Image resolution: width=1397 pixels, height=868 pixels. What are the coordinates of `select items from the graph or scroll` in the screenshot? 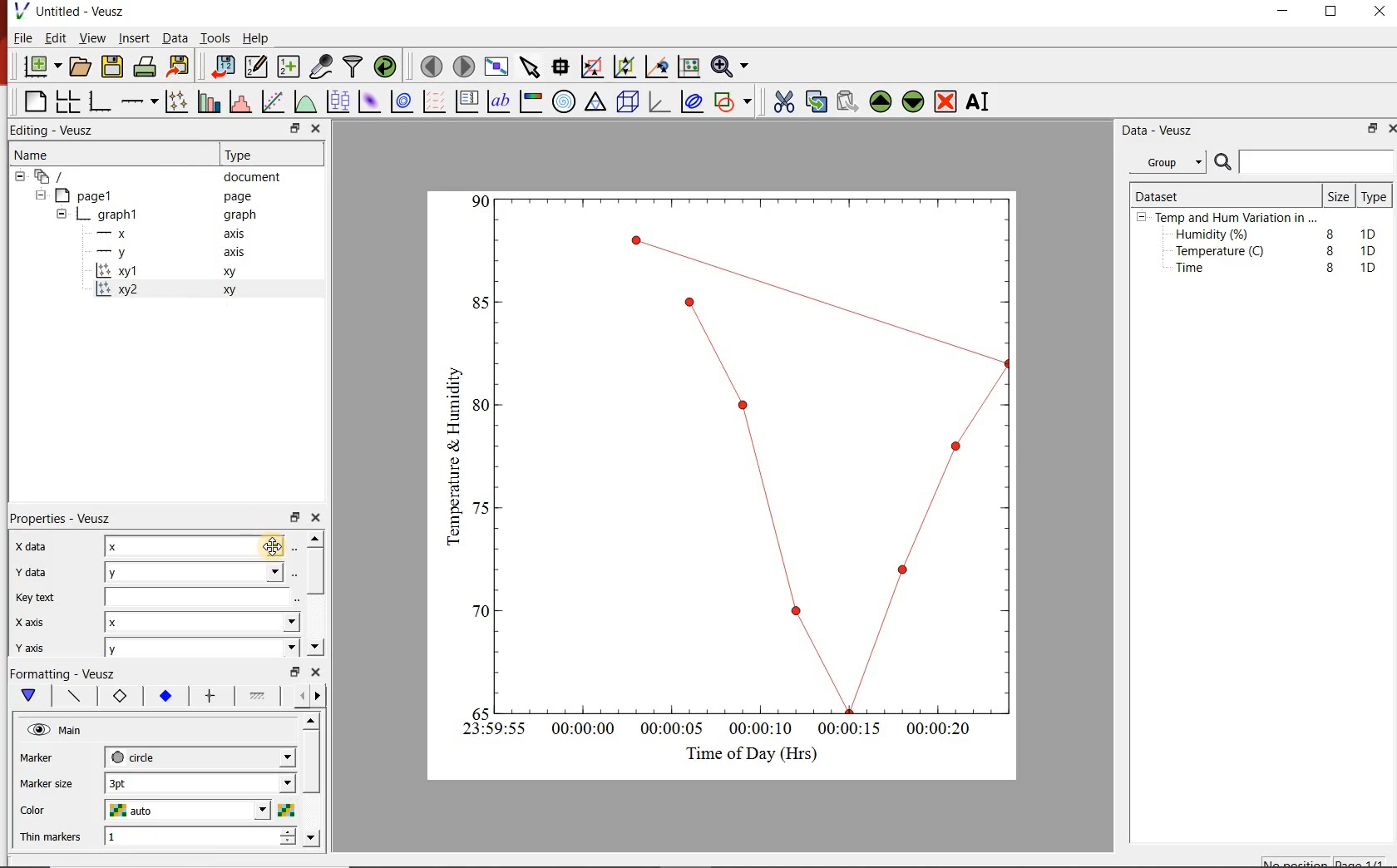 It's located at (531, 69).